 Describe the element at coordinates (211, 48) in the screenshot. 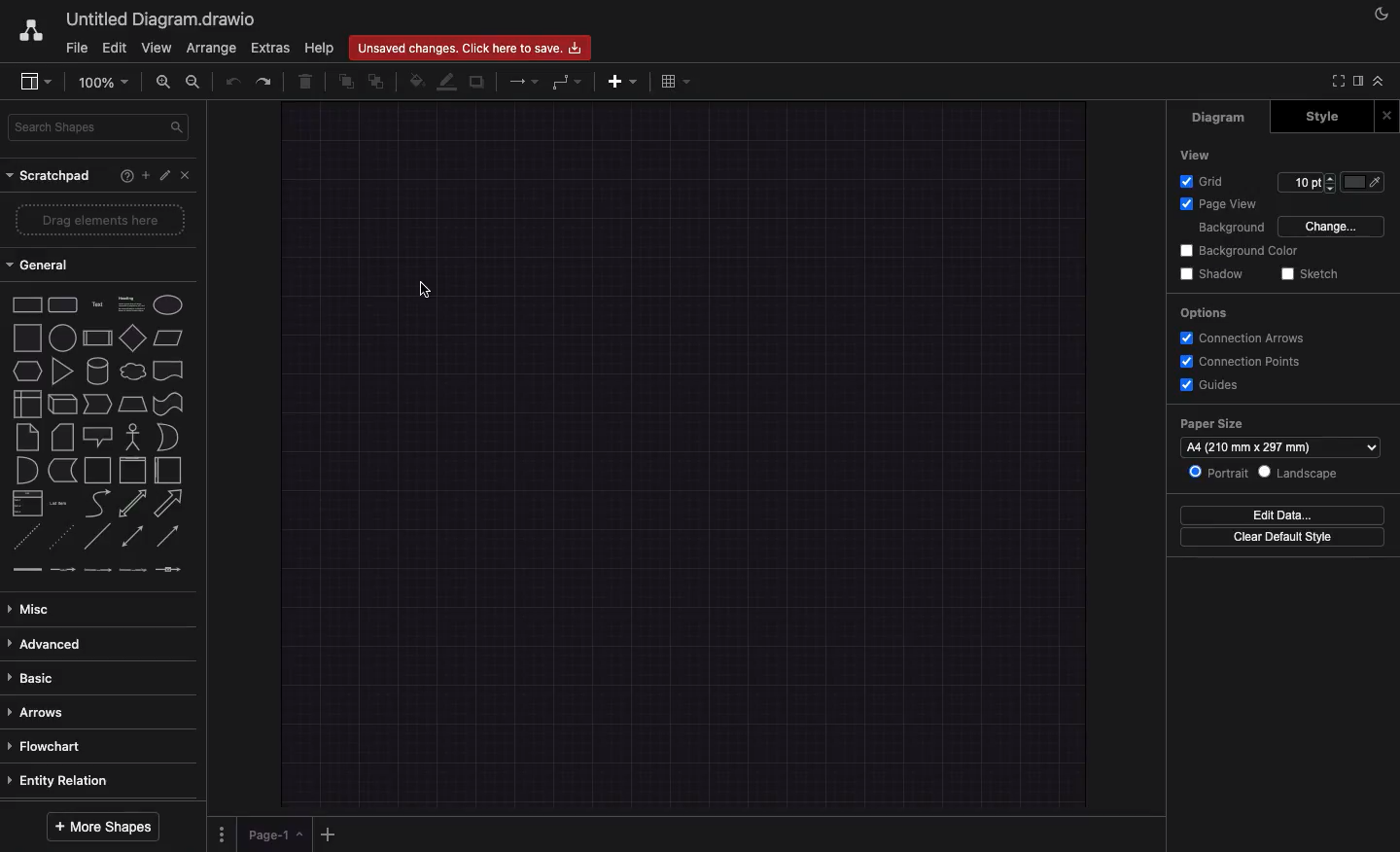

I see `Arrange` at that location.